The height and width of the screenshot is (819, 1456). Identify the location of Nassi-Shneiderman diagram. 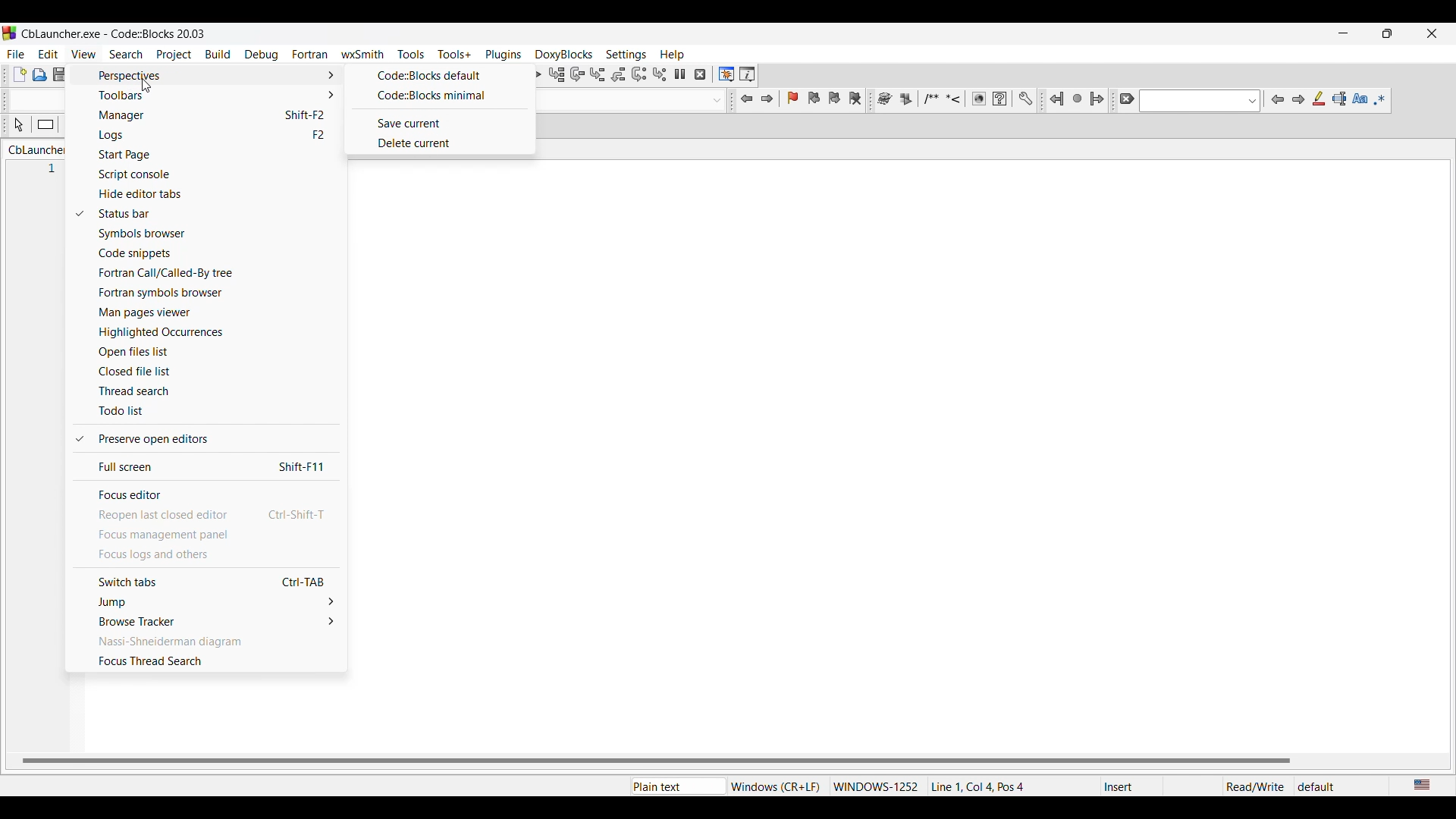
(208, 641).